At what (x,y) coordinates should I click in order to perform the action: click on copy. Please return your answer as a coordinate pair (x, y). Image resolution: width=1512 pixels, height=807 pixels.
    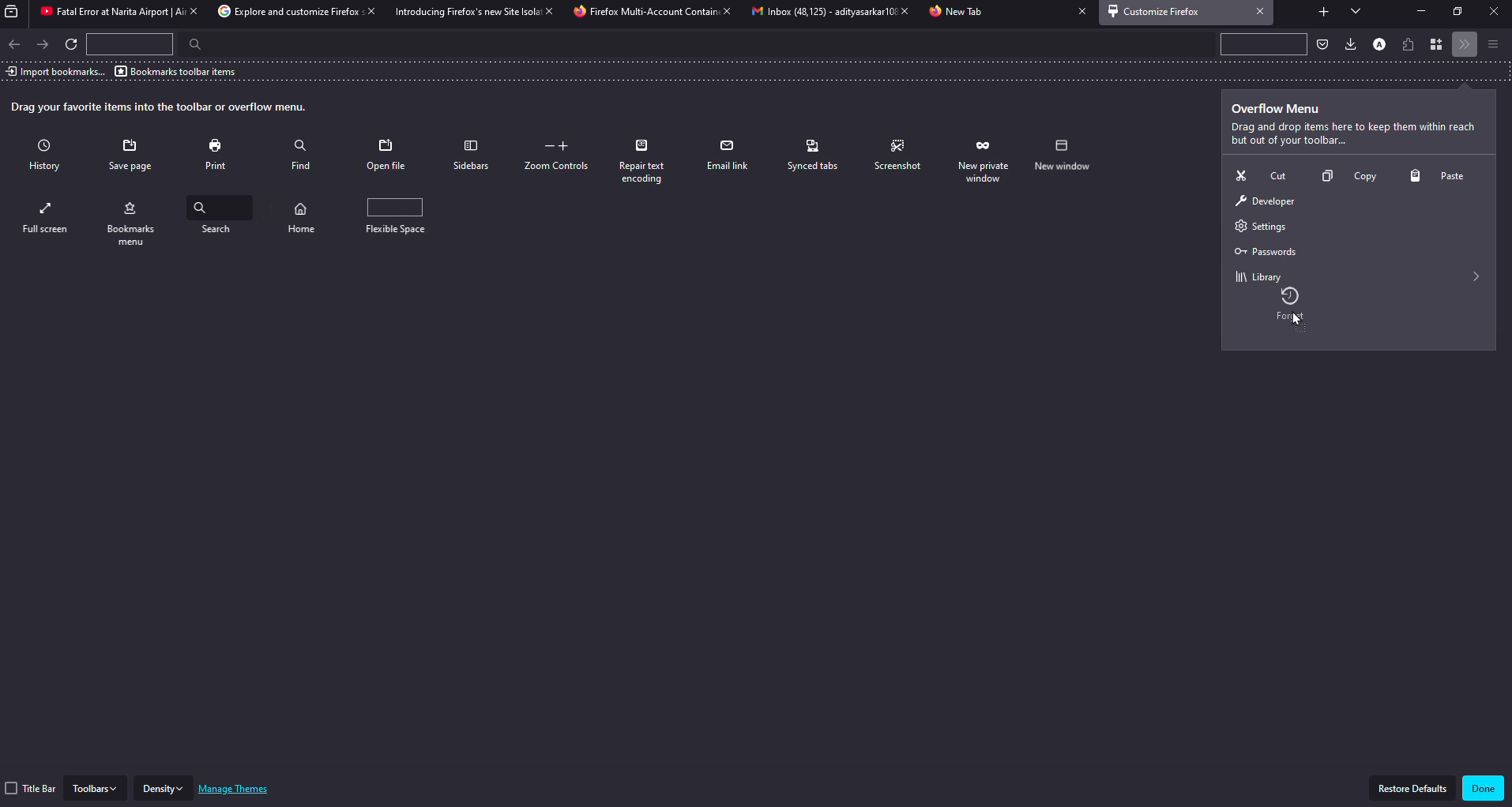
    Looking at the image, I should click on (1344, 178).